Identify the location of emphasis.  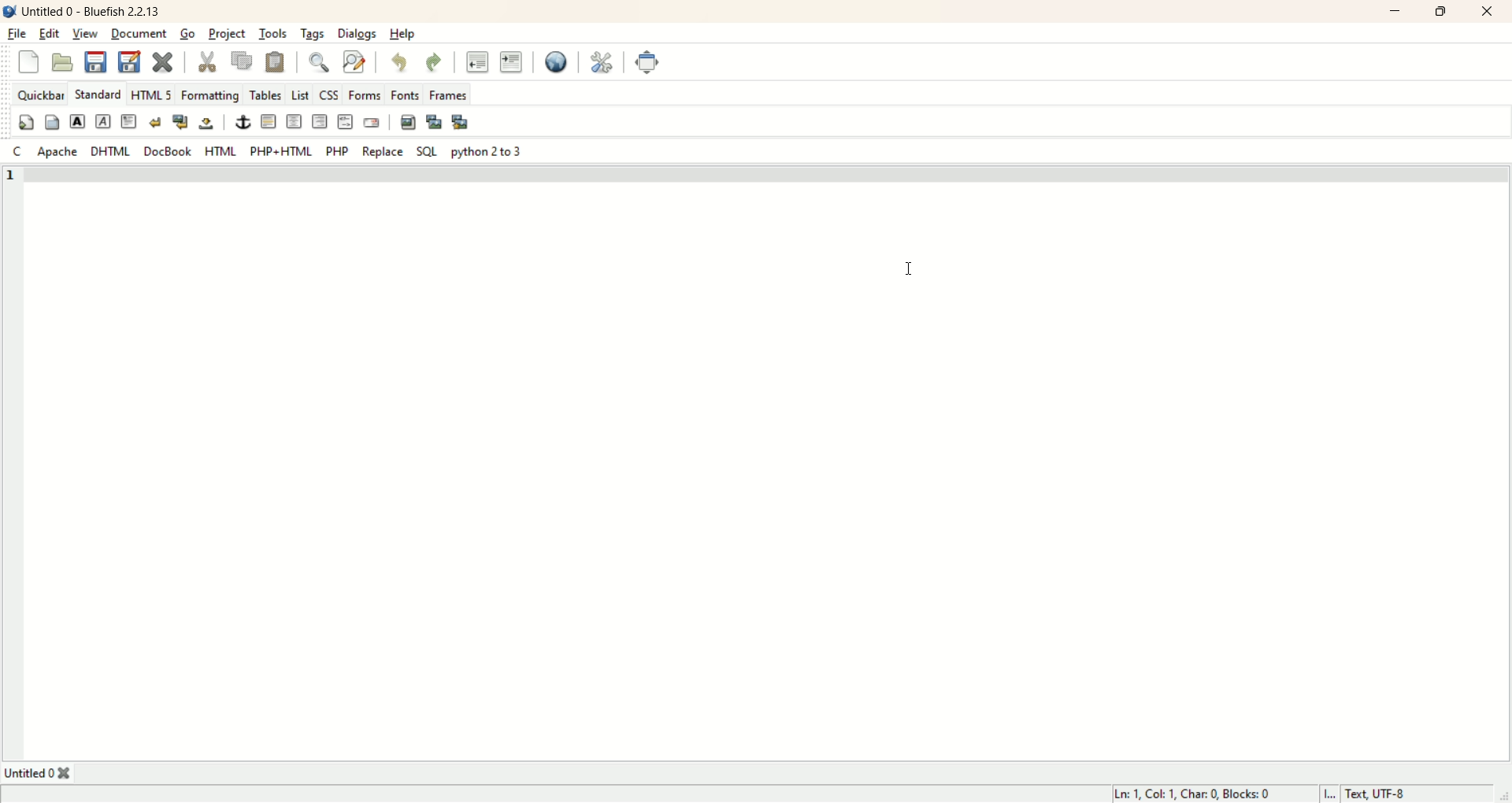
(102, 123).